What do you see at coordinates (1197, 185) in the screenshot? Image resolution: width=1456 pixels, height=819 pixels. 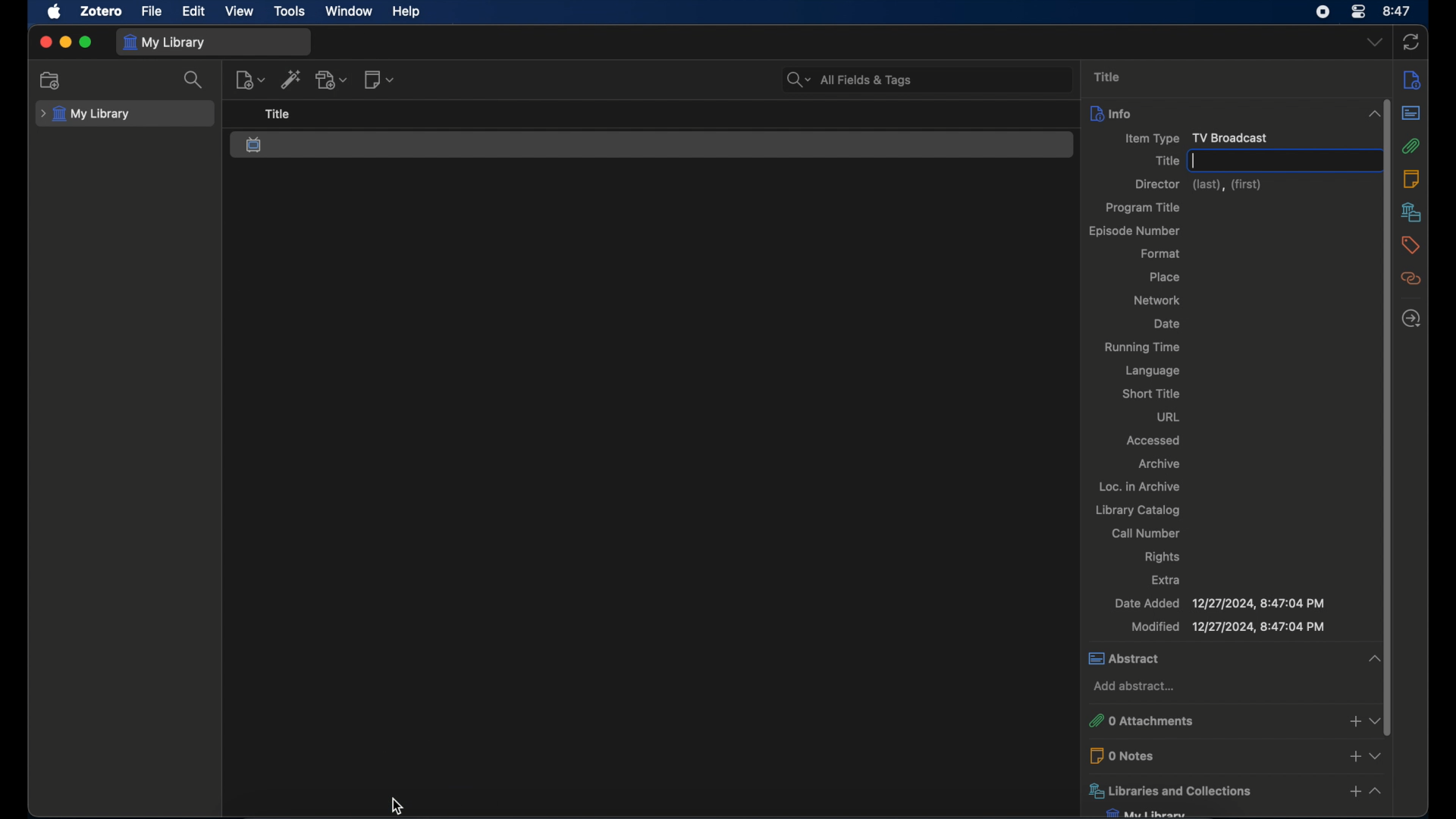 I see `director` at bounding box center [1197, 185].